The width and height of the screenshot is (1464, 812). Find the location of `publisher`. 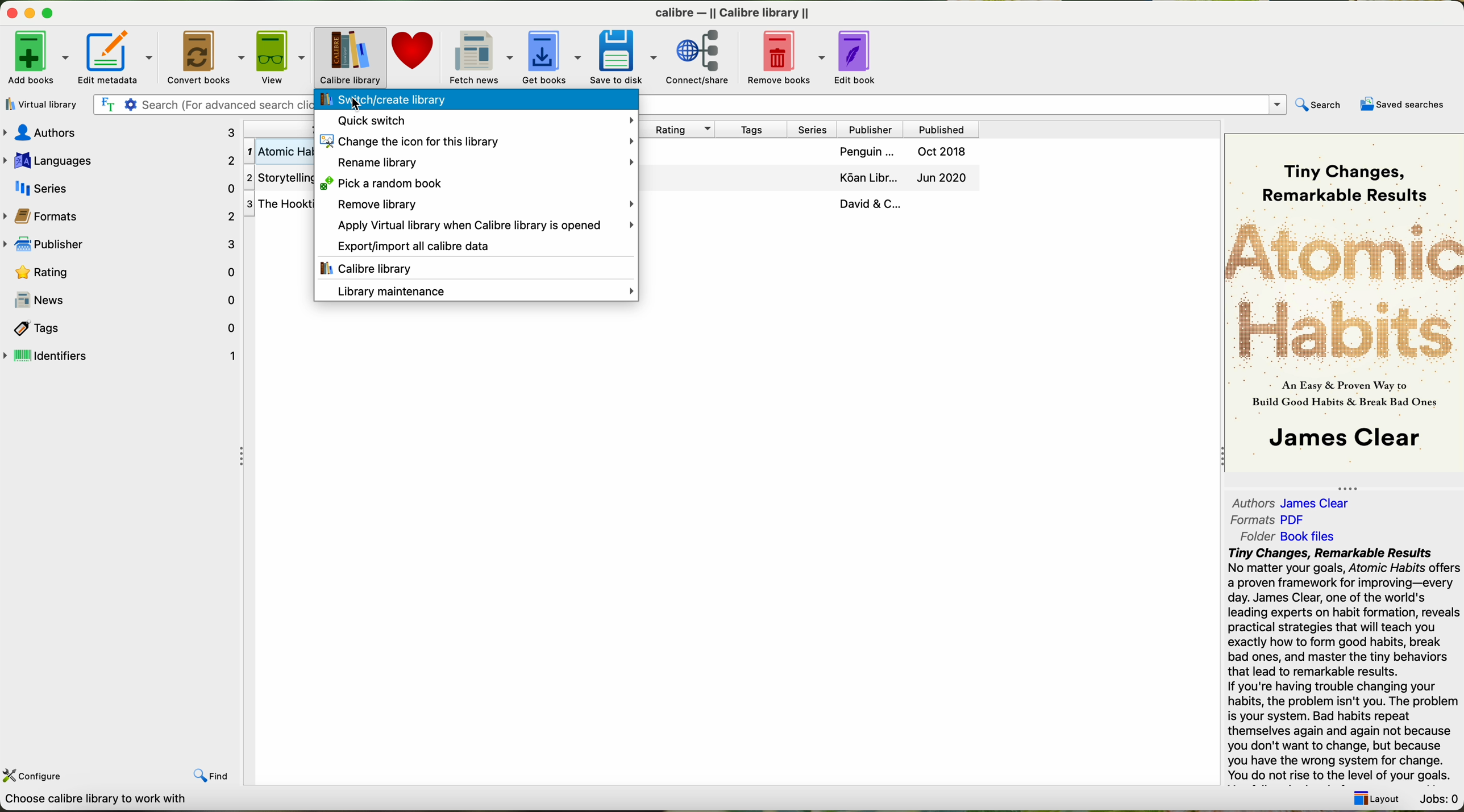

publisher is located at coordinates (871, 128).